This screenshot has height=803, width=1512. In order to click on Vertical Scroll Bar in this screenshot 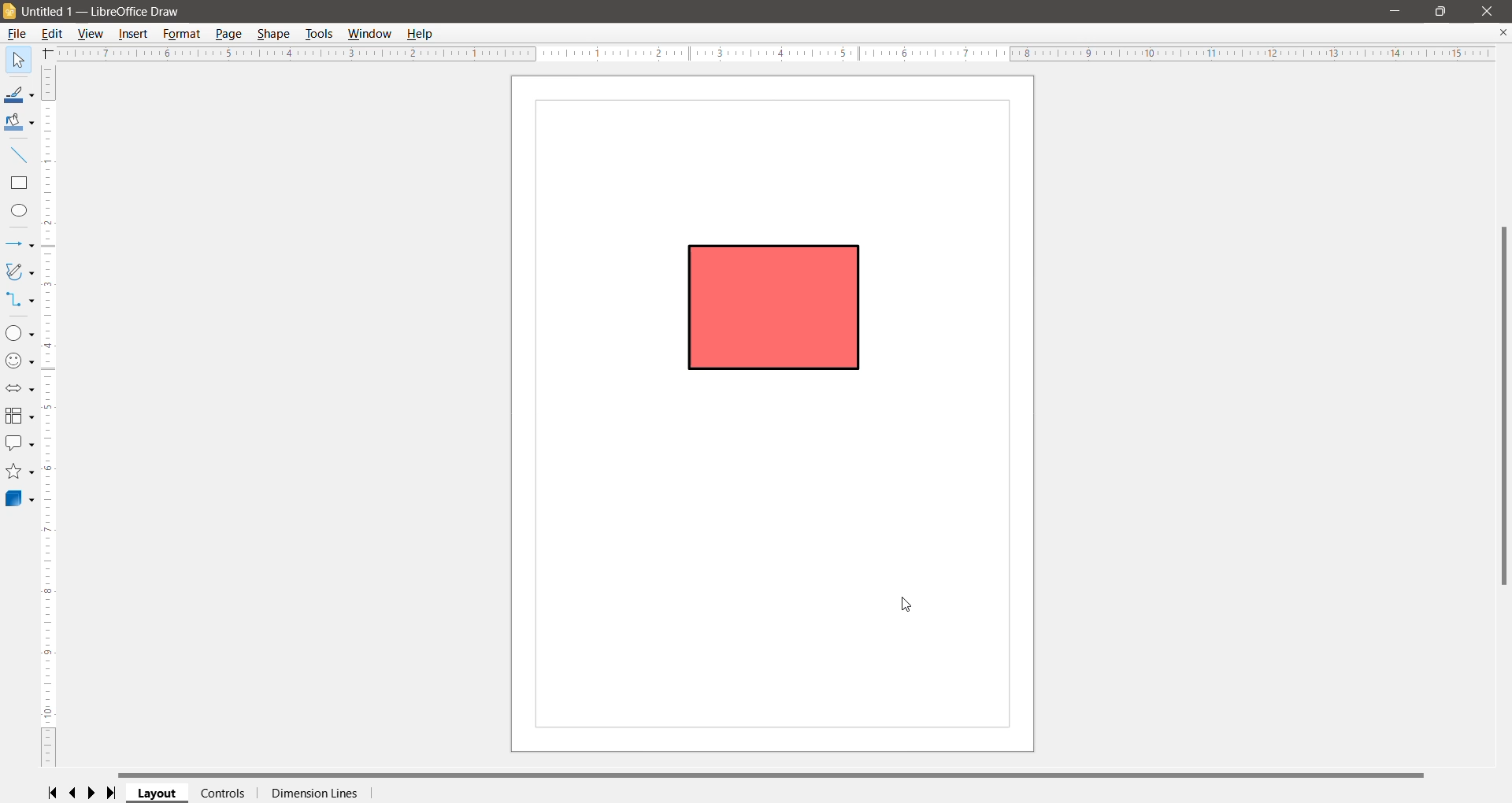, I will do `click(1503, 406)`.